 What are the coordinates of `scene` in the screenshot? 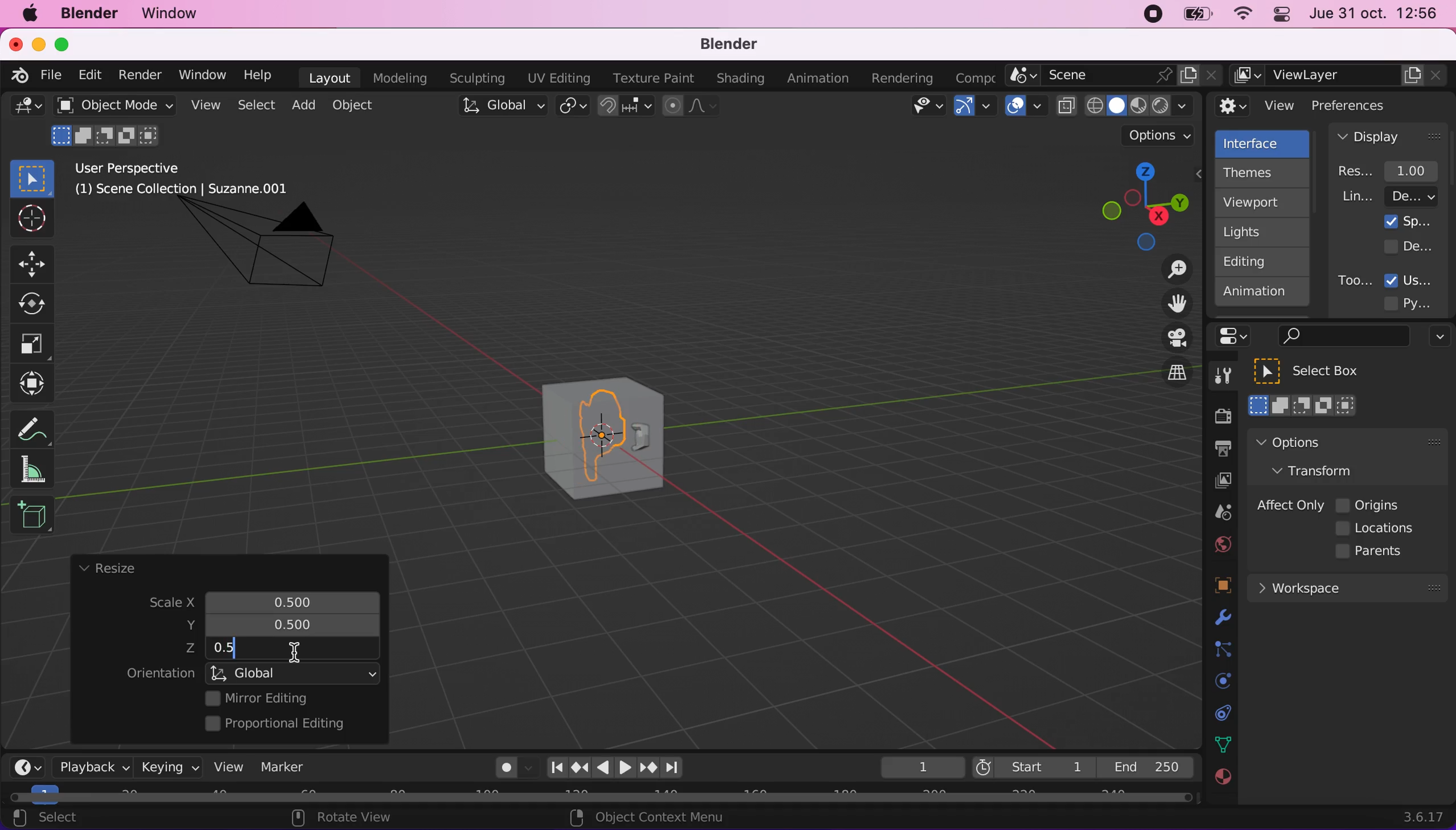 It's located at (1114, 76).